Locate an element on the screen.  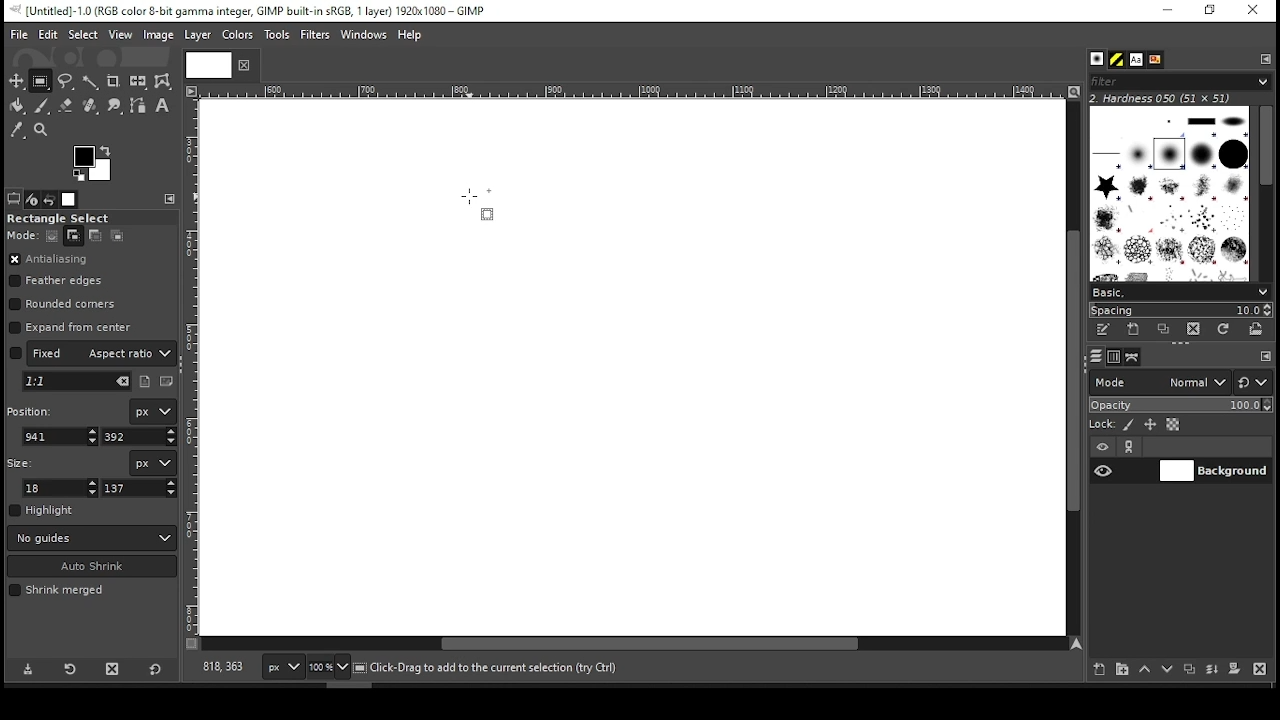
antialiasing is located at coordinates (49, 260).